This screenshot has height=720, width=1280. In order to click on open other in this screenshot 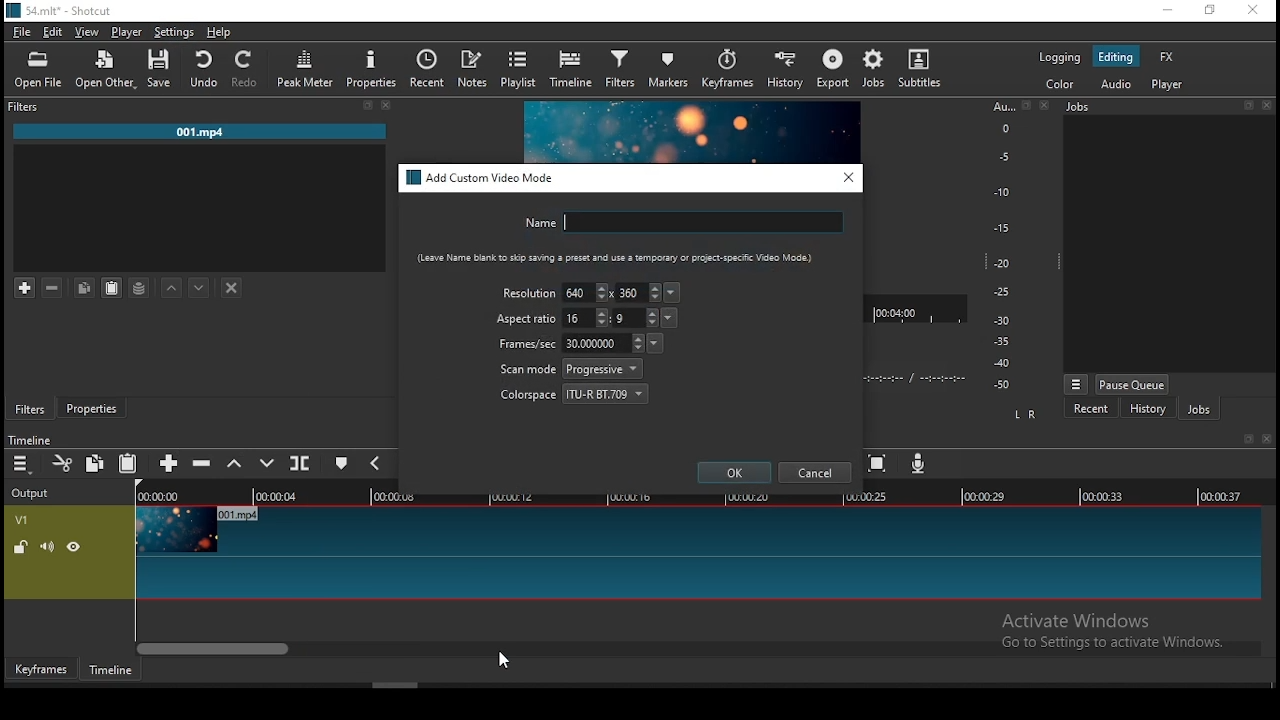, I will do `click(107, 71)`.